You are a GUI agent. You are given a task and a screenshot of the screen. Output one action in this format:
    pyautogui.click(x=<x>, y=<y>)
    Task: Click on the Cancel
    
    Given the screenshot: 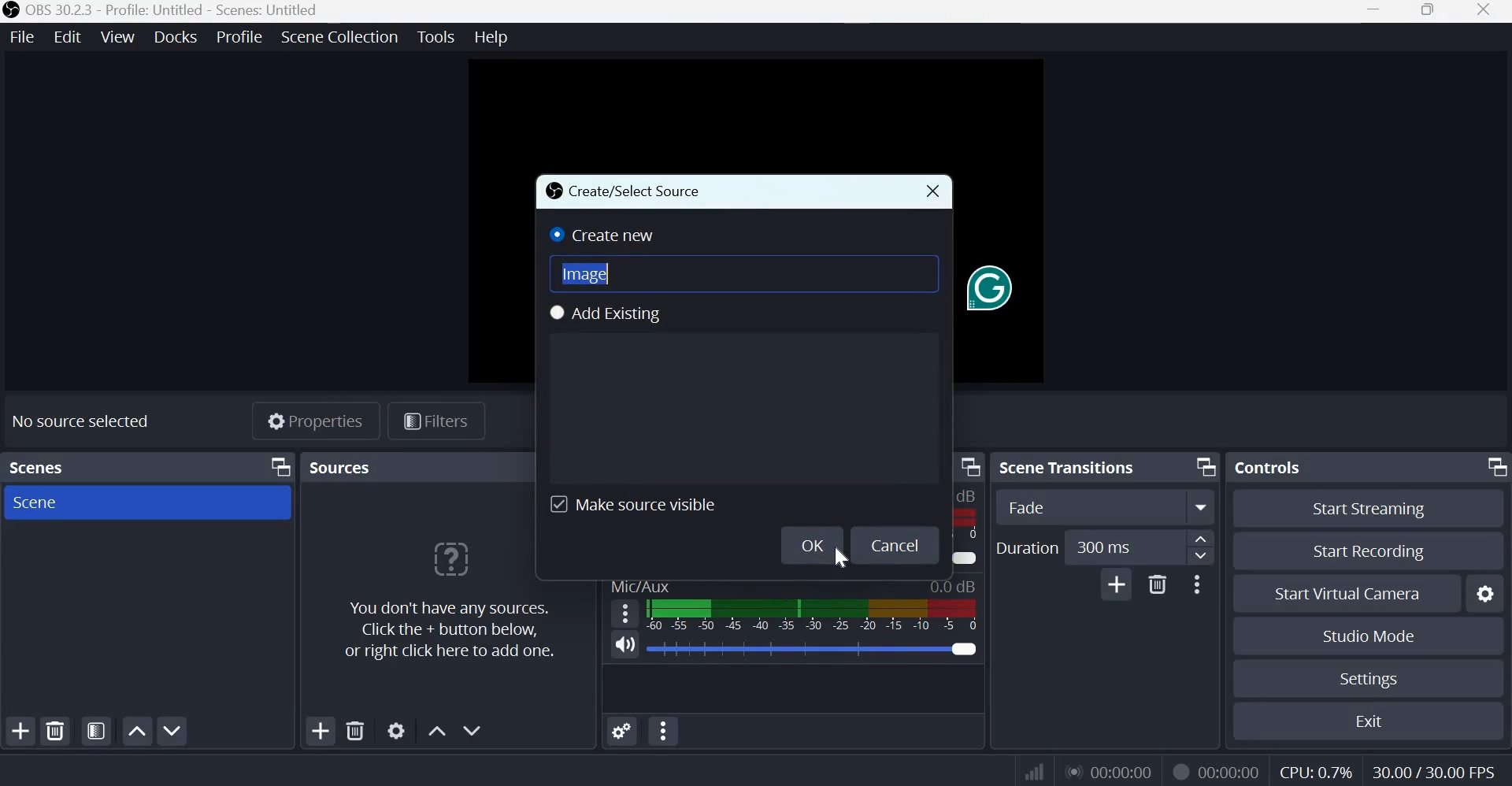 What is the action you would take?
    pyautogui.click(x=899, y=545)
    